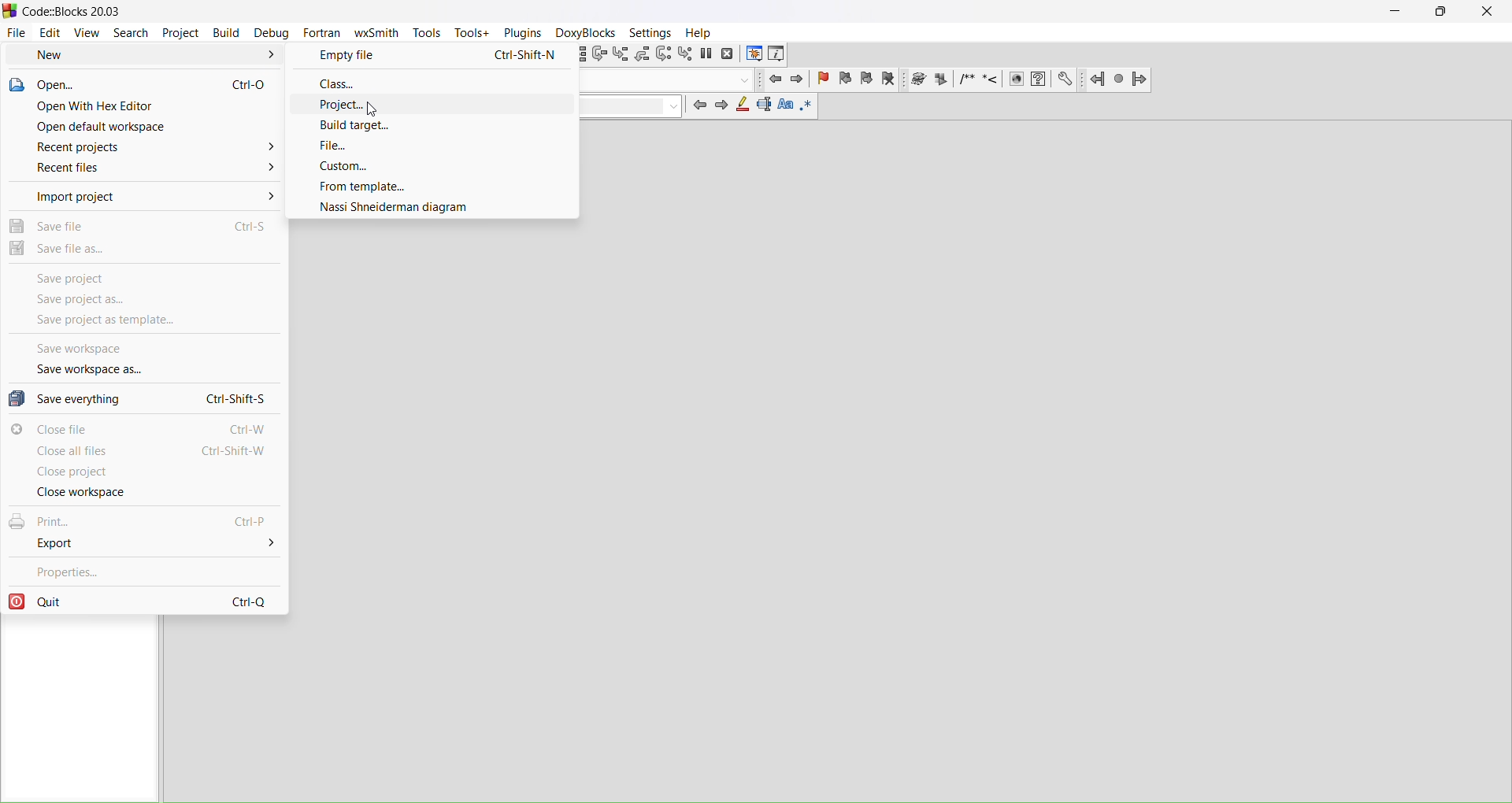 This screenshot has width=1512, height=803. Describe the element at coordinates (785, 109) in the screenshot. I see `match case` at that location.